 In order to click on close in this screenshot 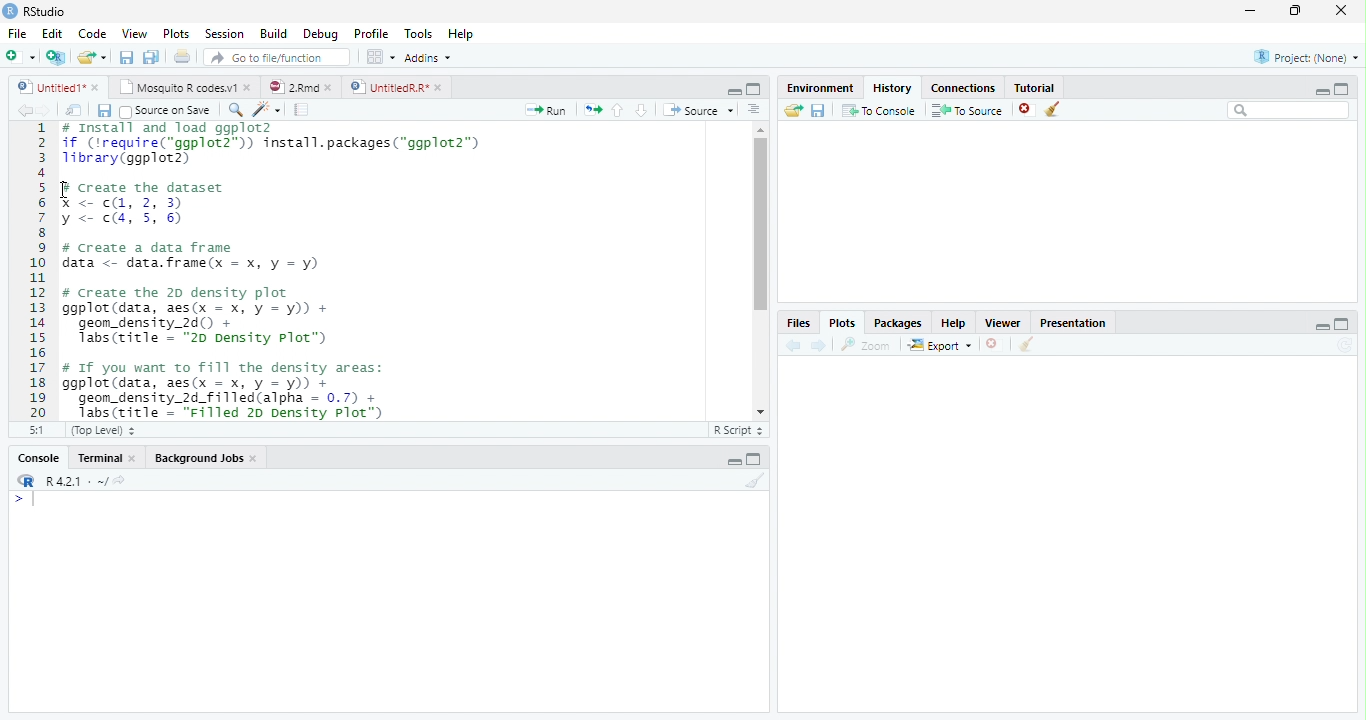, I will do `click(332, 87)`.